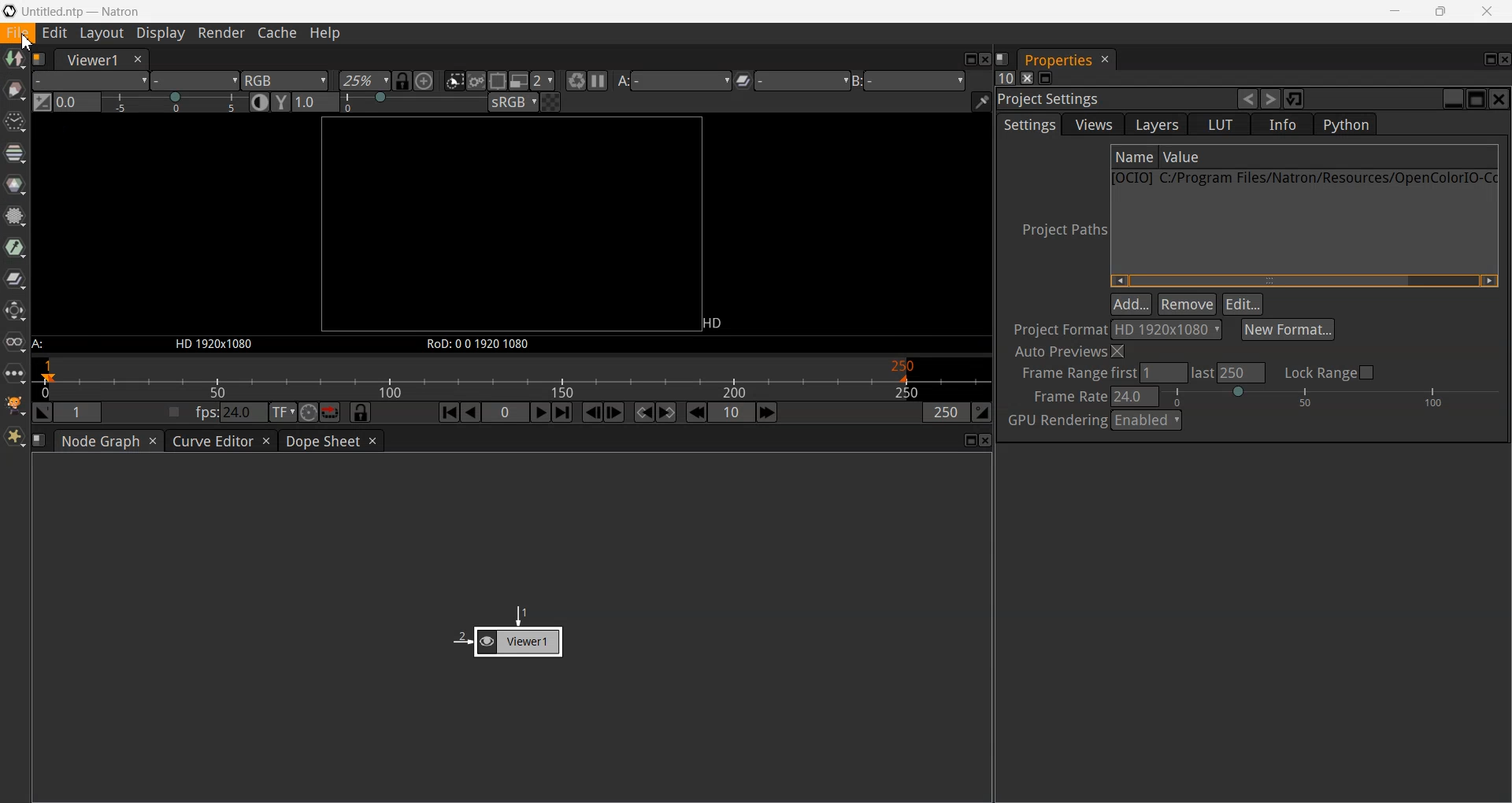  I want to click on Python, so click(1344, 124).